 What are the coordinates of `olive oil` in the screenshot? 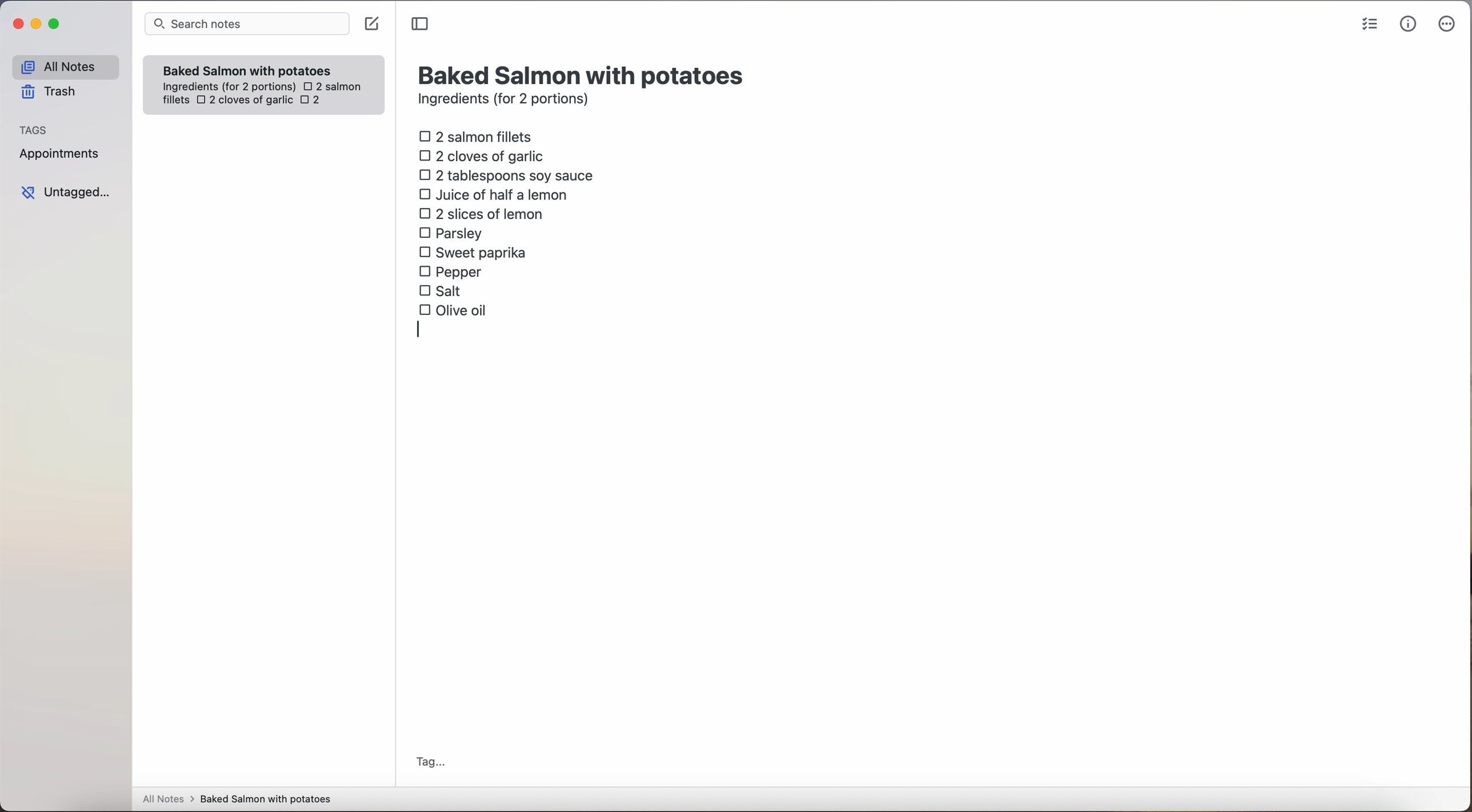 It's located at (454, 309).